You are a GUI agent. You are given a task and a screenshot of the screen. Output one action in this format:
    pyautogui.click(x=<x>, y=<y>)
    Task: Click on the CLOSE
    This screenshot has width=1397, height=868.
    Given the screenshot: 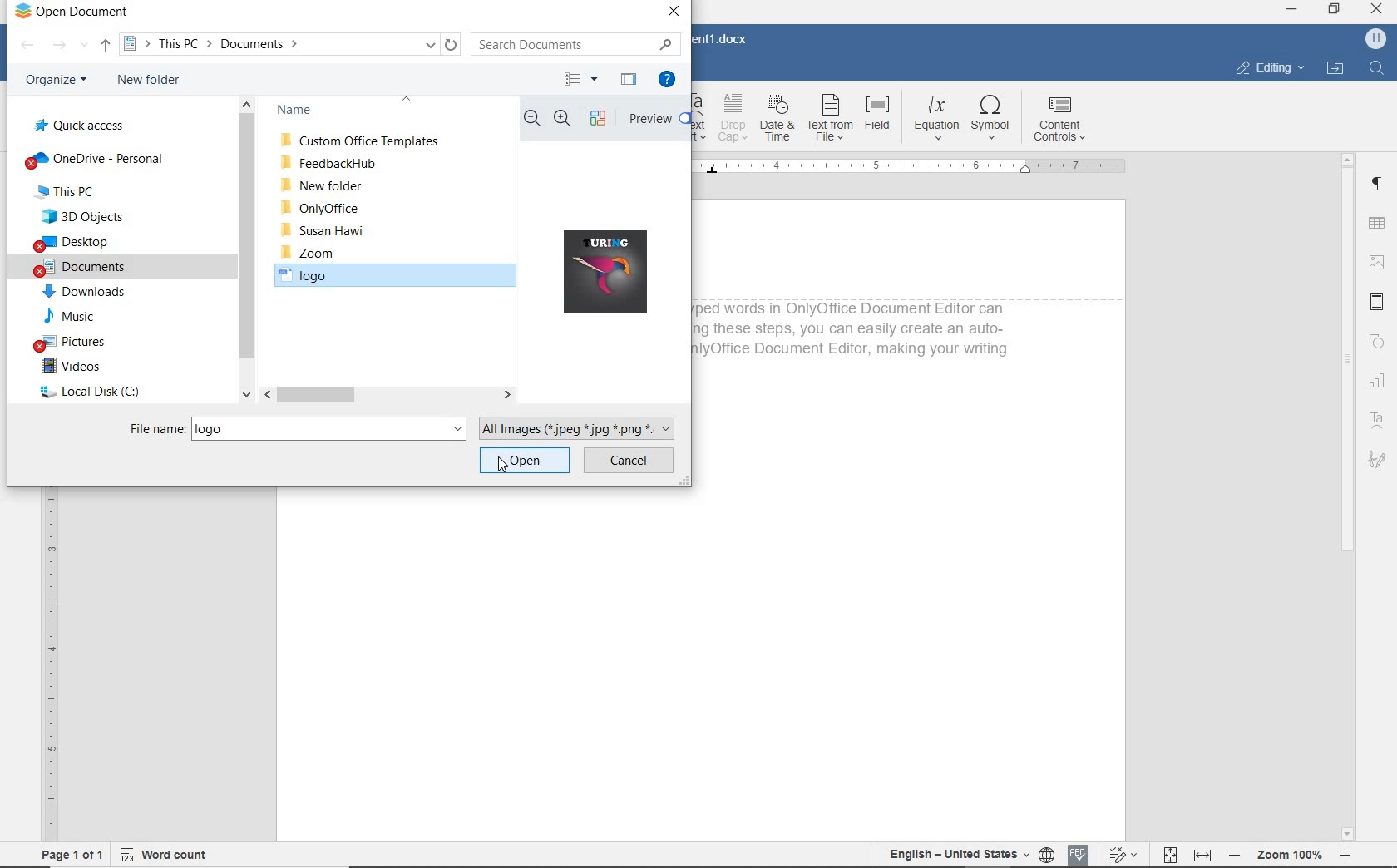 What is the action you would take?
    pyautogui.click(x=674, y=12)
    